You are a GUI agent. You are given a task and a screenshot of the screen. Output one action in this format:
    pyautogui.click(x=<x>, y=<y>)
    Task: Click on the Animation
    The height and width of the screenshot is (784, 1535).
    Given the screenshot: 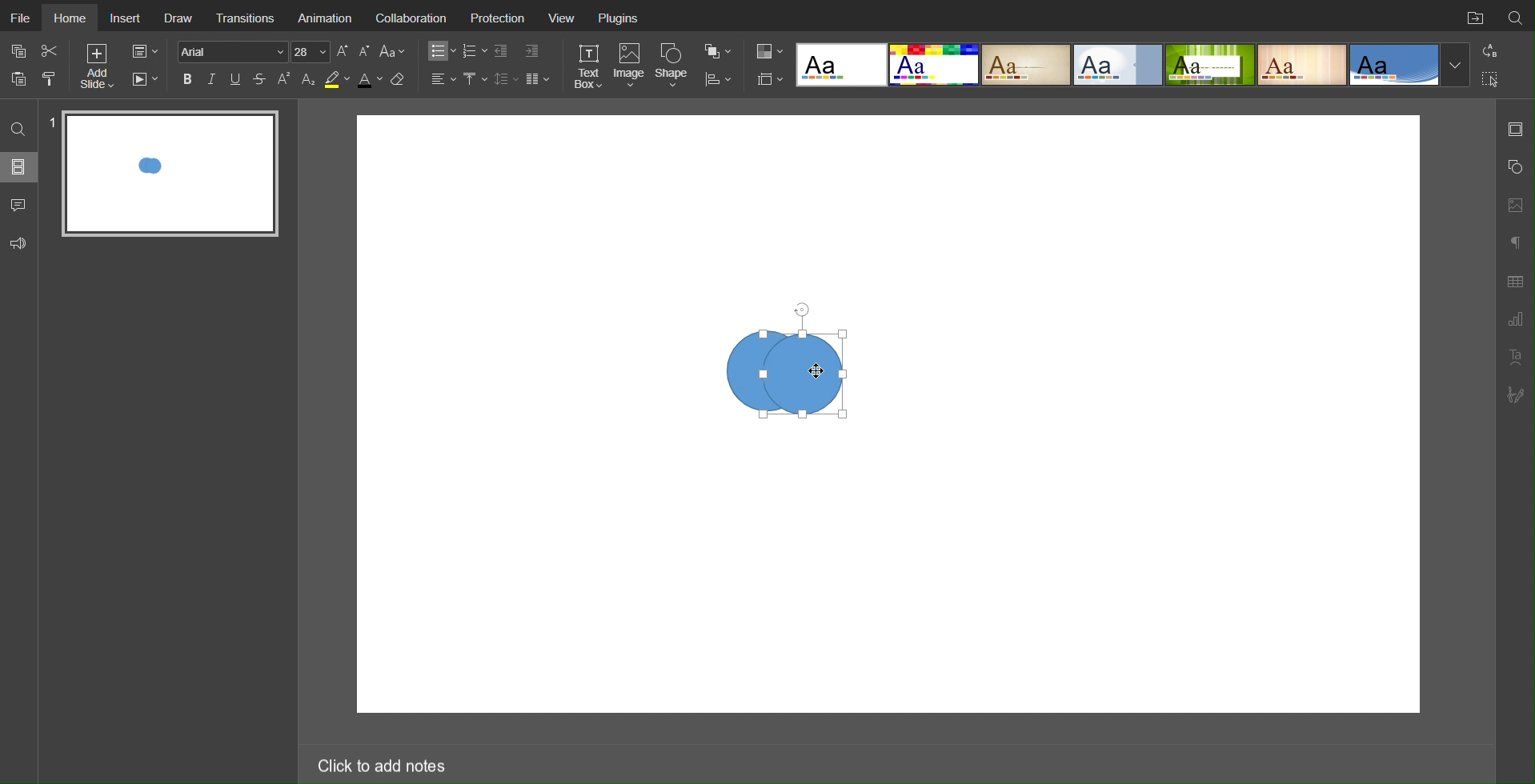 What is the action you would take?
    pyautogui.click(x=328, y=18)
    